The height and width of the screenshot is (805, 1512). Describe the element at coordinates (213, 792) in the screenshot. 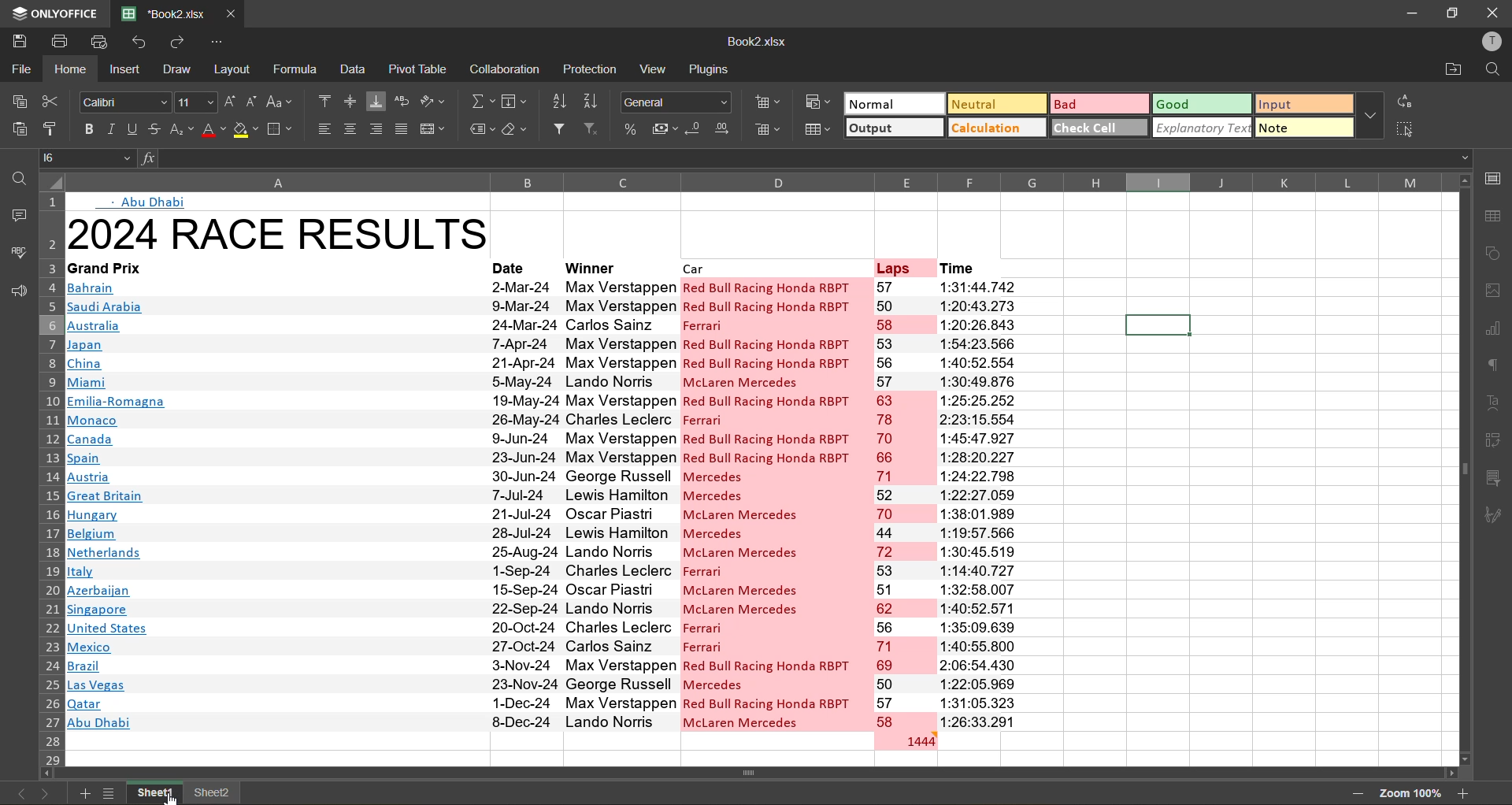

I see `sheet2` at that location.